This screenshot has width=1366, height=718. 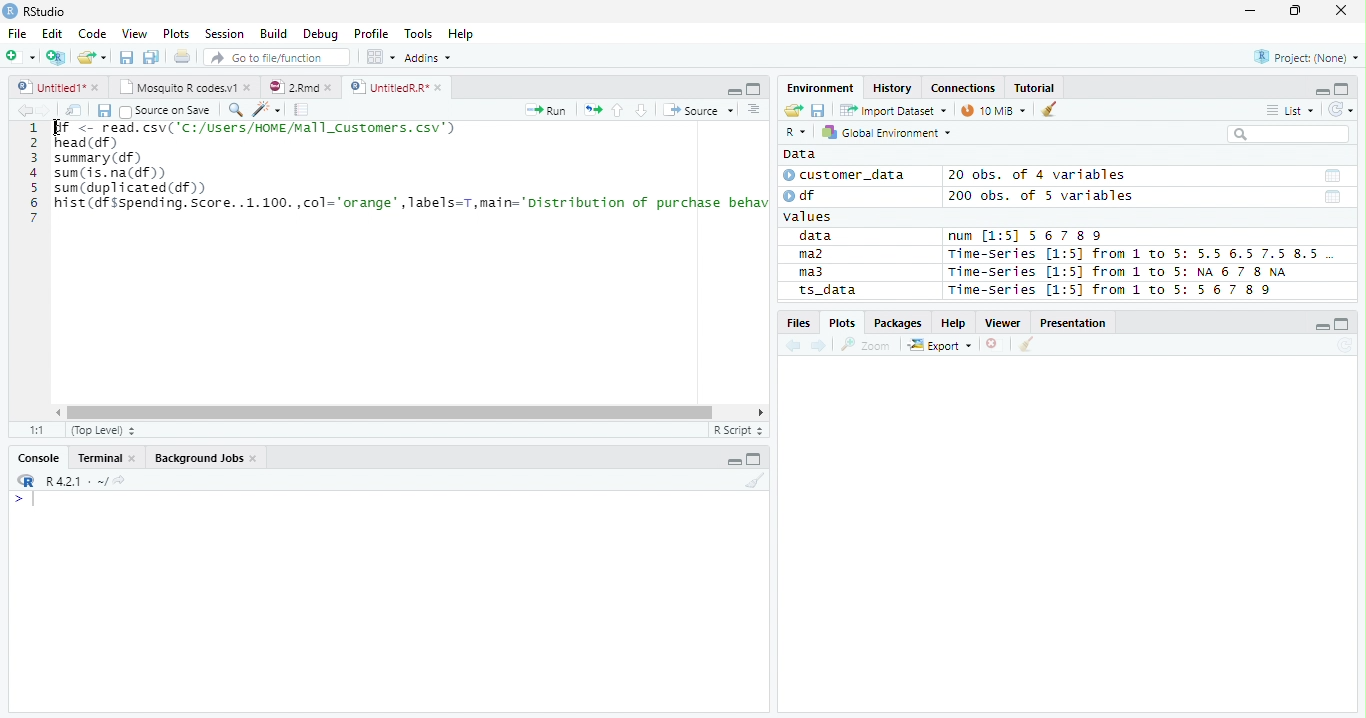 I want to click on R script, so click(x=737, y=430).